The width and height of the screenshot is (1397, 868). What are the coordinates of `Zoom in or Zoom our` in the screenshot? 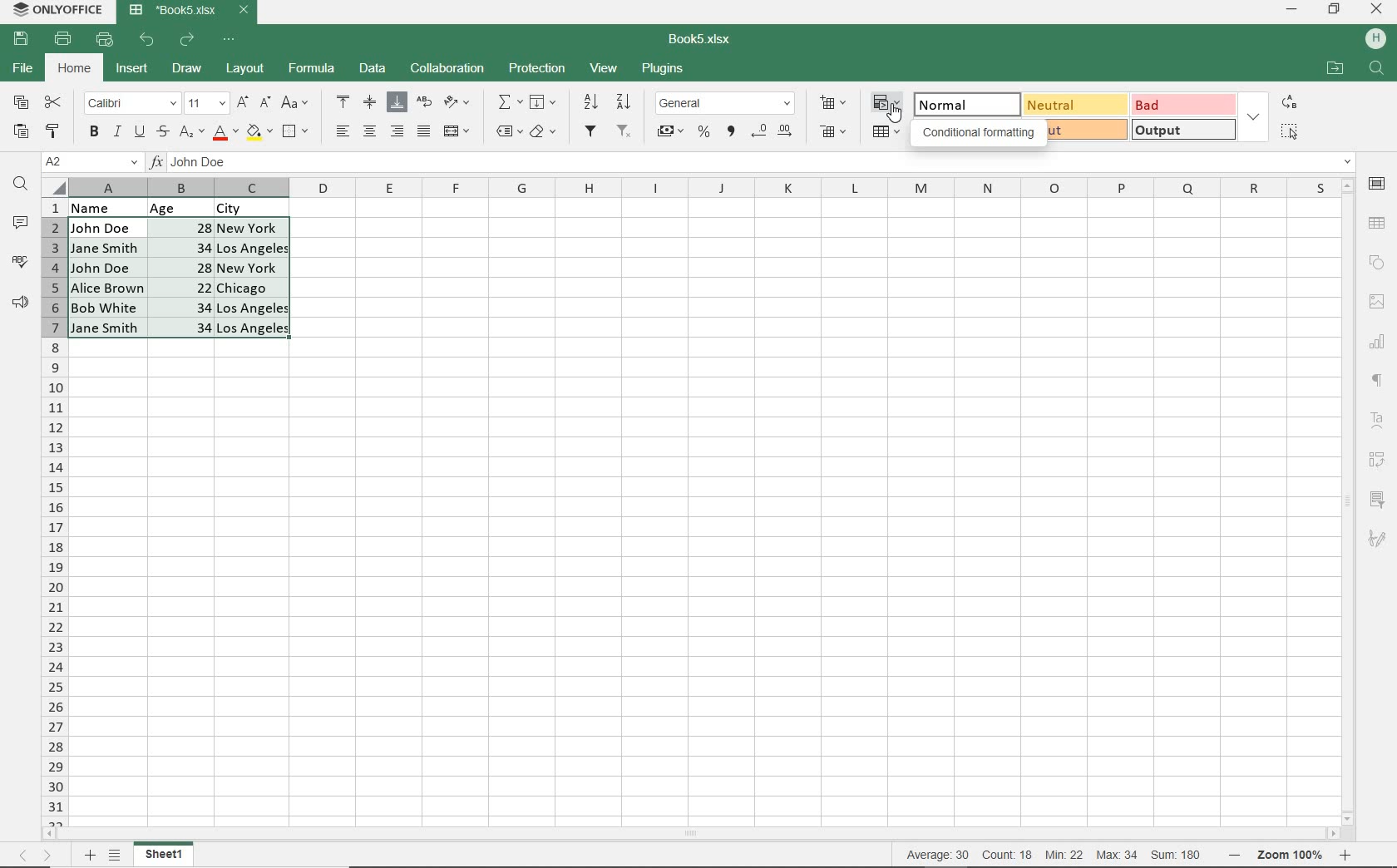 It's located at (1295, 855).